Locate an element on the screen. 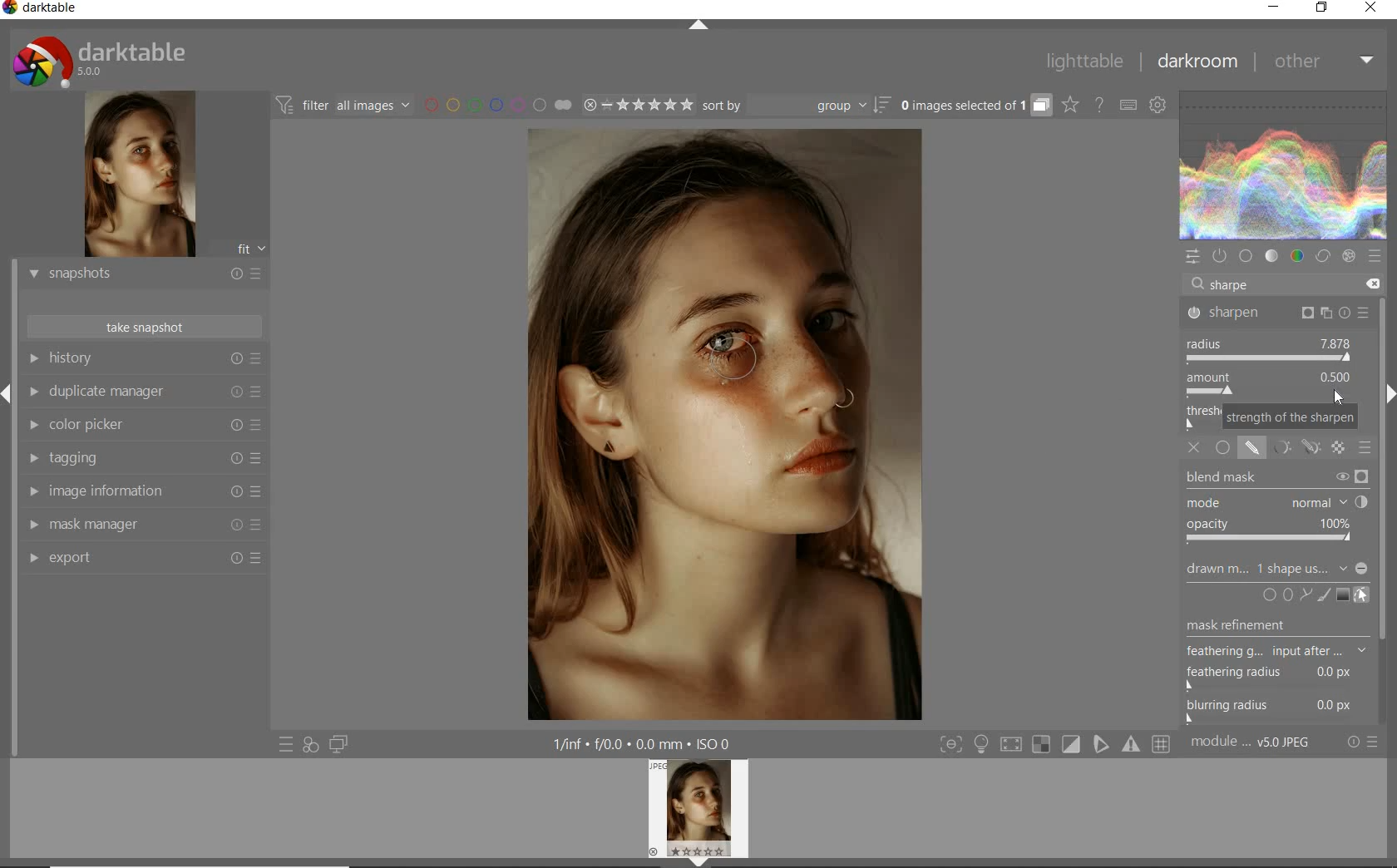 The image size is (1397, 868). image preview is located at coordinates (137, 176).